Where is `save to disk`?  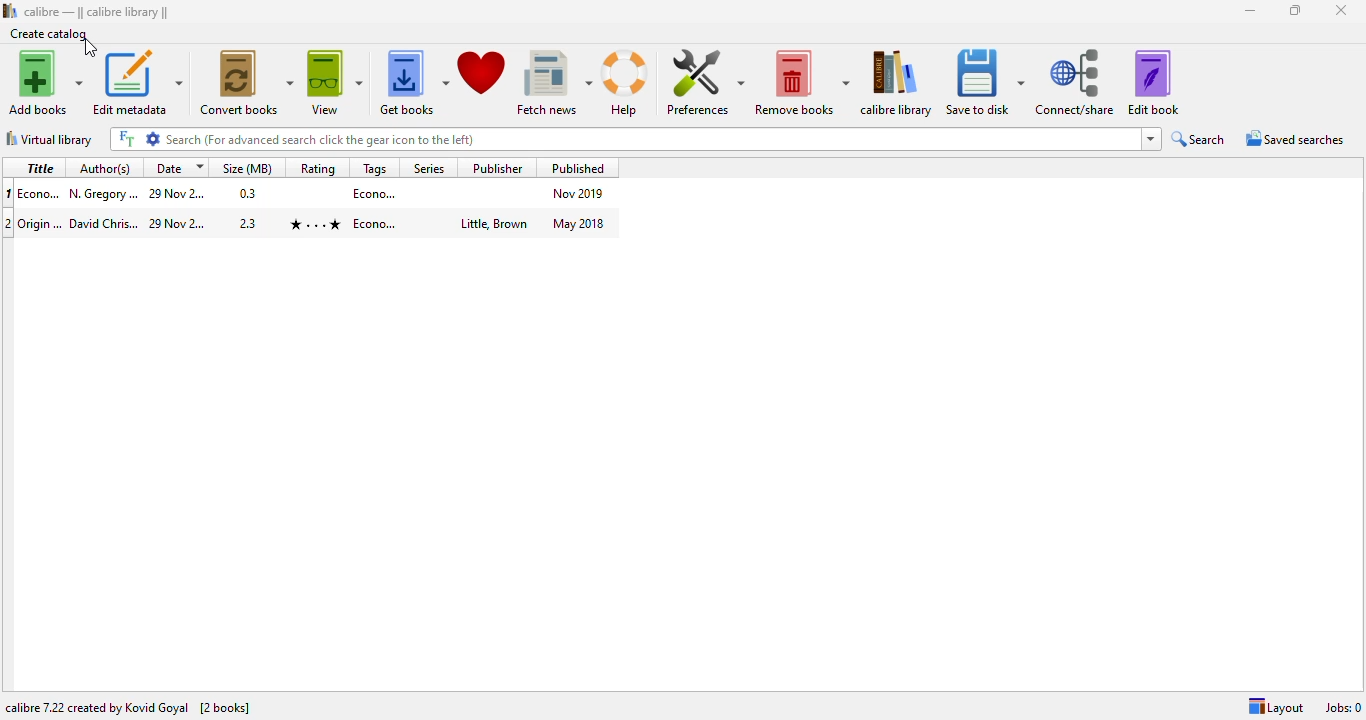
save to disk is located at coordinates (984, 82).